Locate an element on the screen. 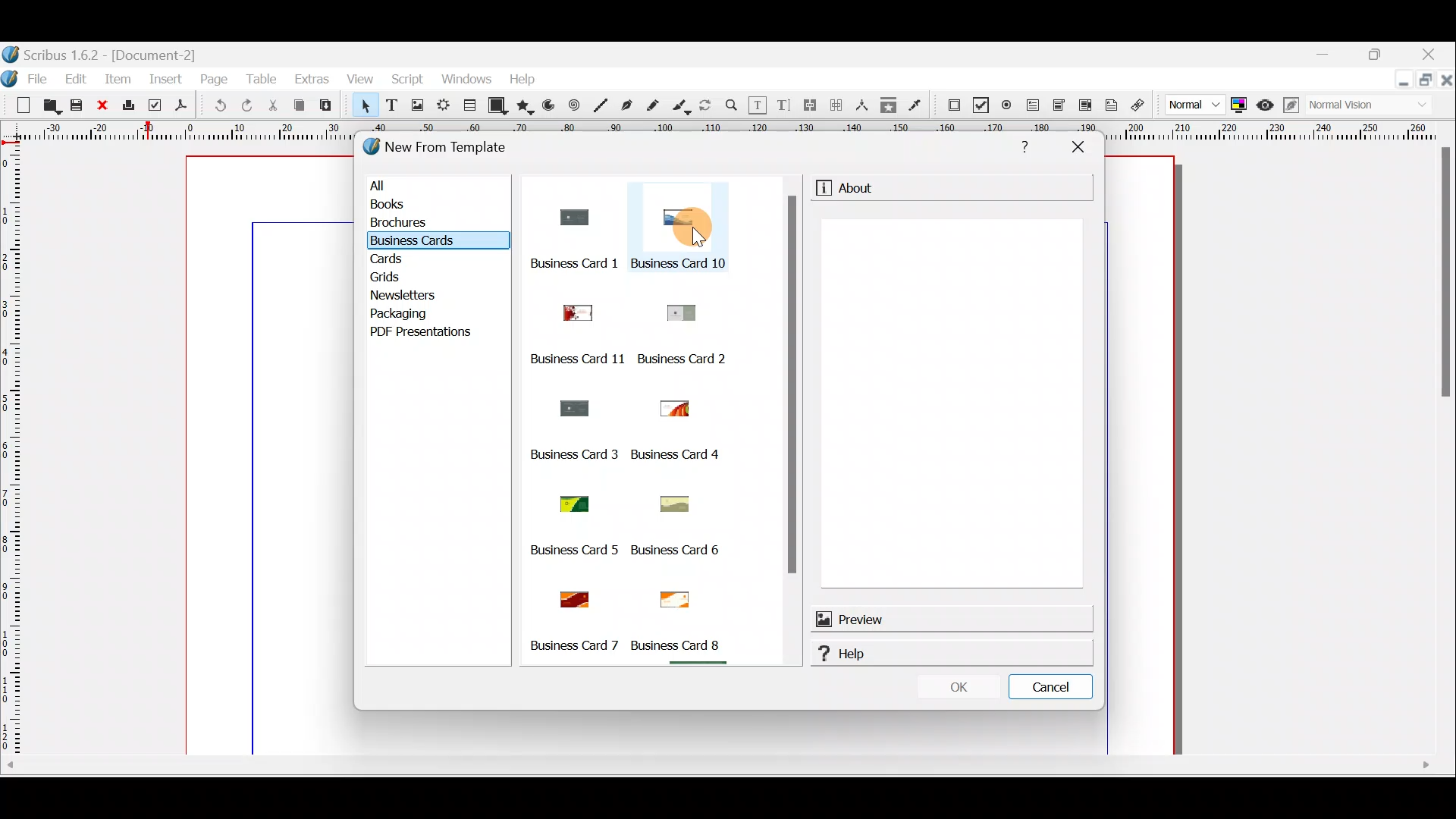  PDF text field is located at coordinates (1034, 107).